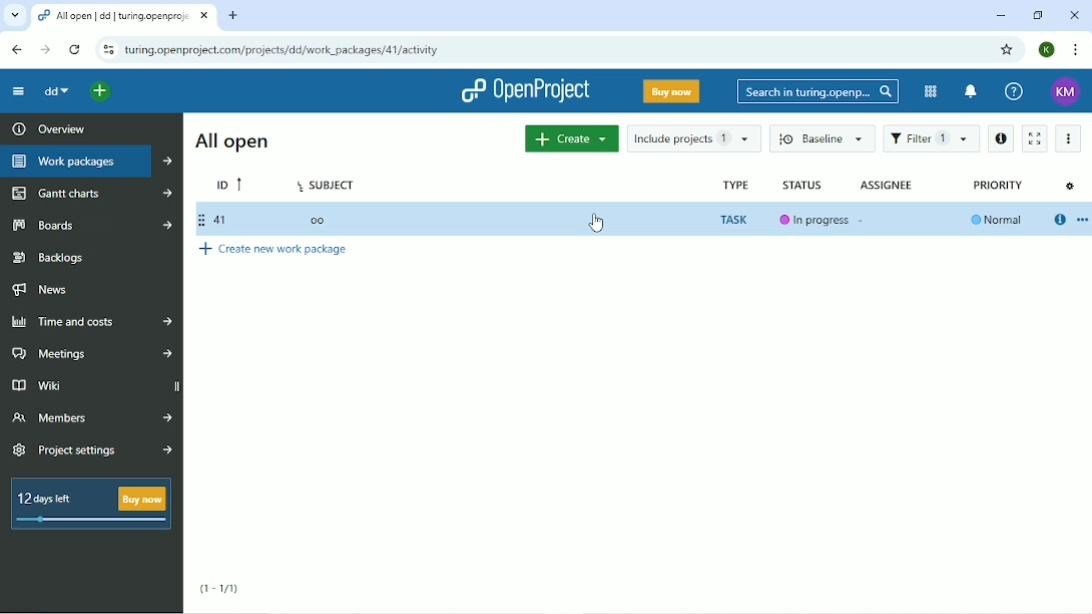 The image size is (1092, 614). I want to click on Modules, so click(931, 92).